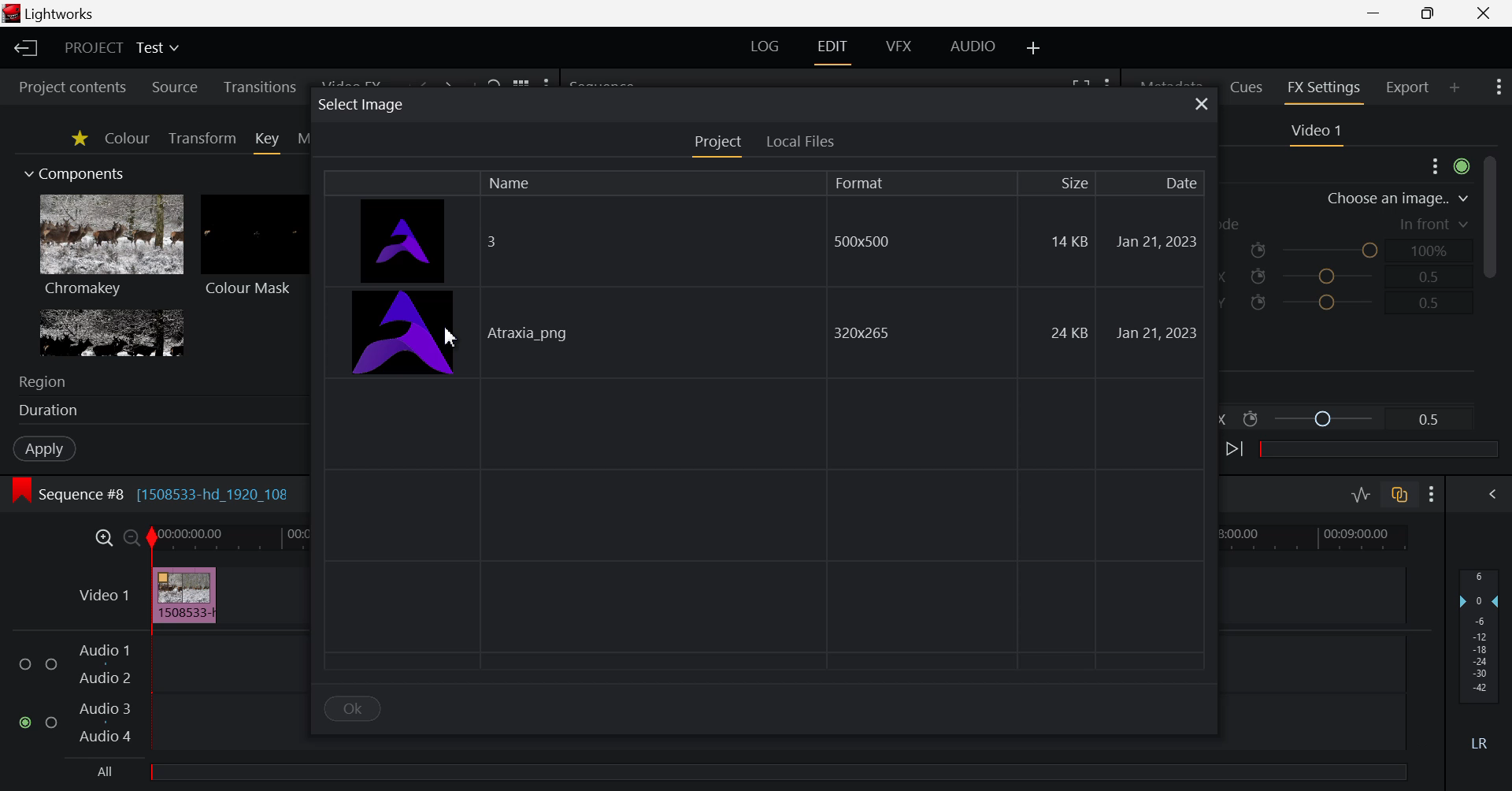 This screenshot has width=1512, height=791. Describe the element at coordinates (112, 248) in the screenshot. I see `Chromakey` at that location.